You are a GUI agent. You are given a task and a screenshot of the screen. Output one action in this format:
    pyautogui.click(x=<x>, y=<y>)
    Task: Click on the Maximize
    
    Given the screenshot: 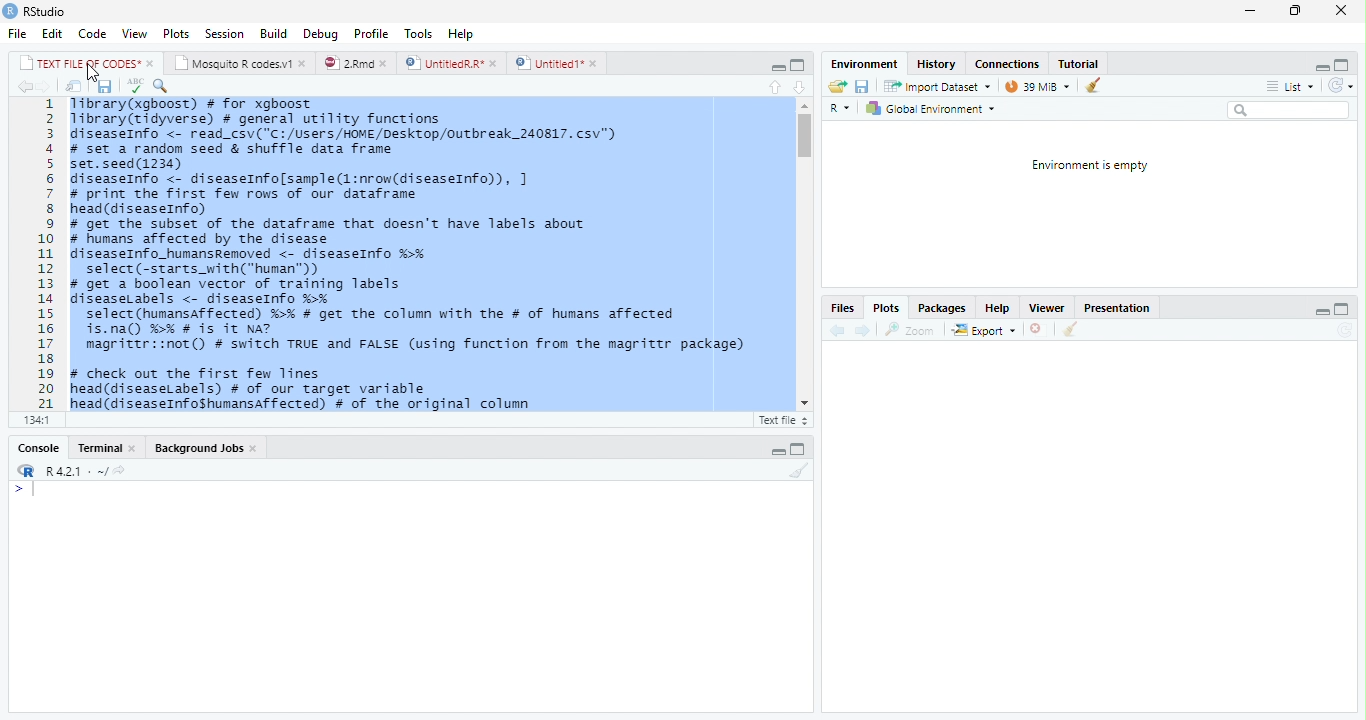 What is the action you would take?
    pyautogui.click(x=1341, y=307)
    